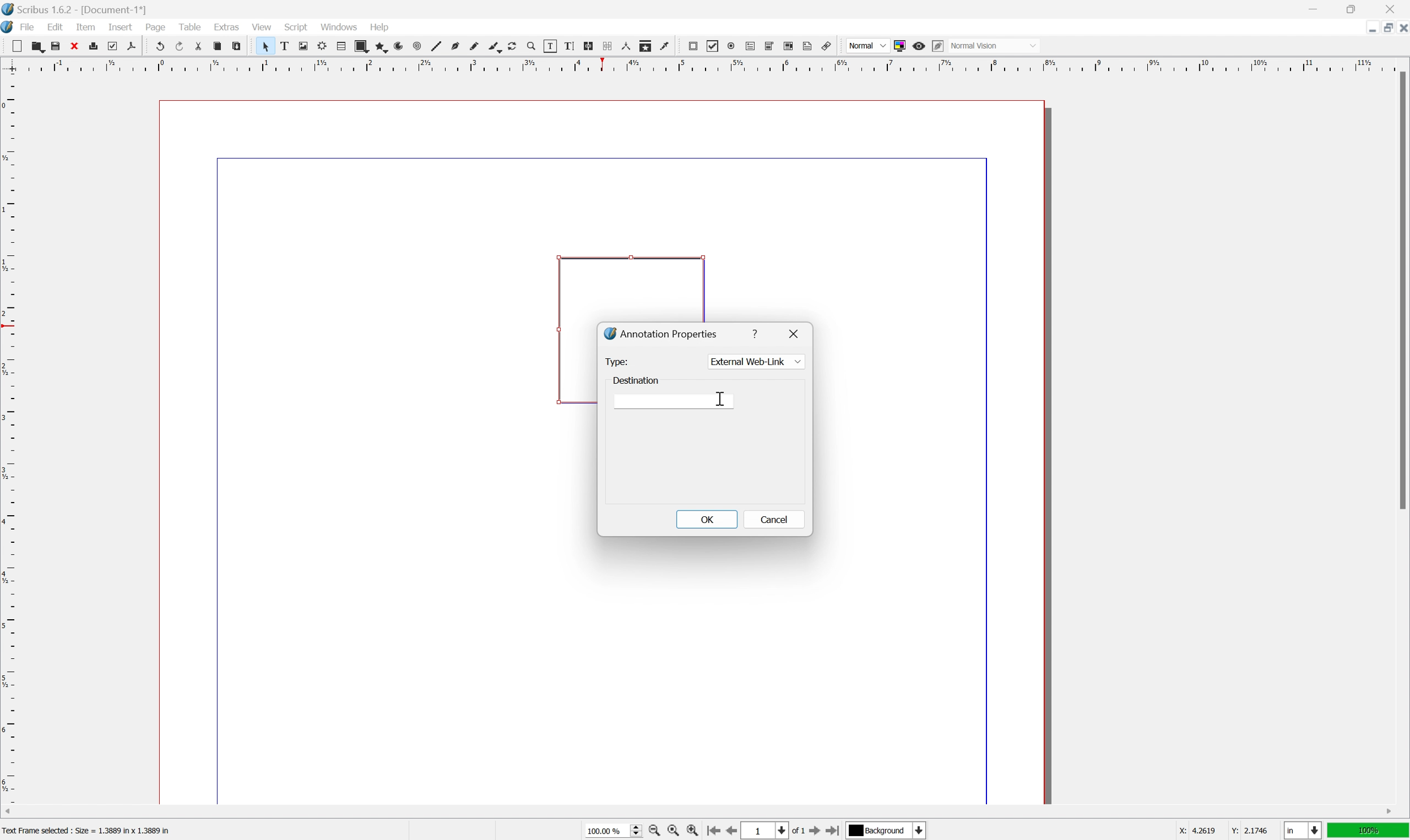  I want to click on pdf push button, so click(693, 46).